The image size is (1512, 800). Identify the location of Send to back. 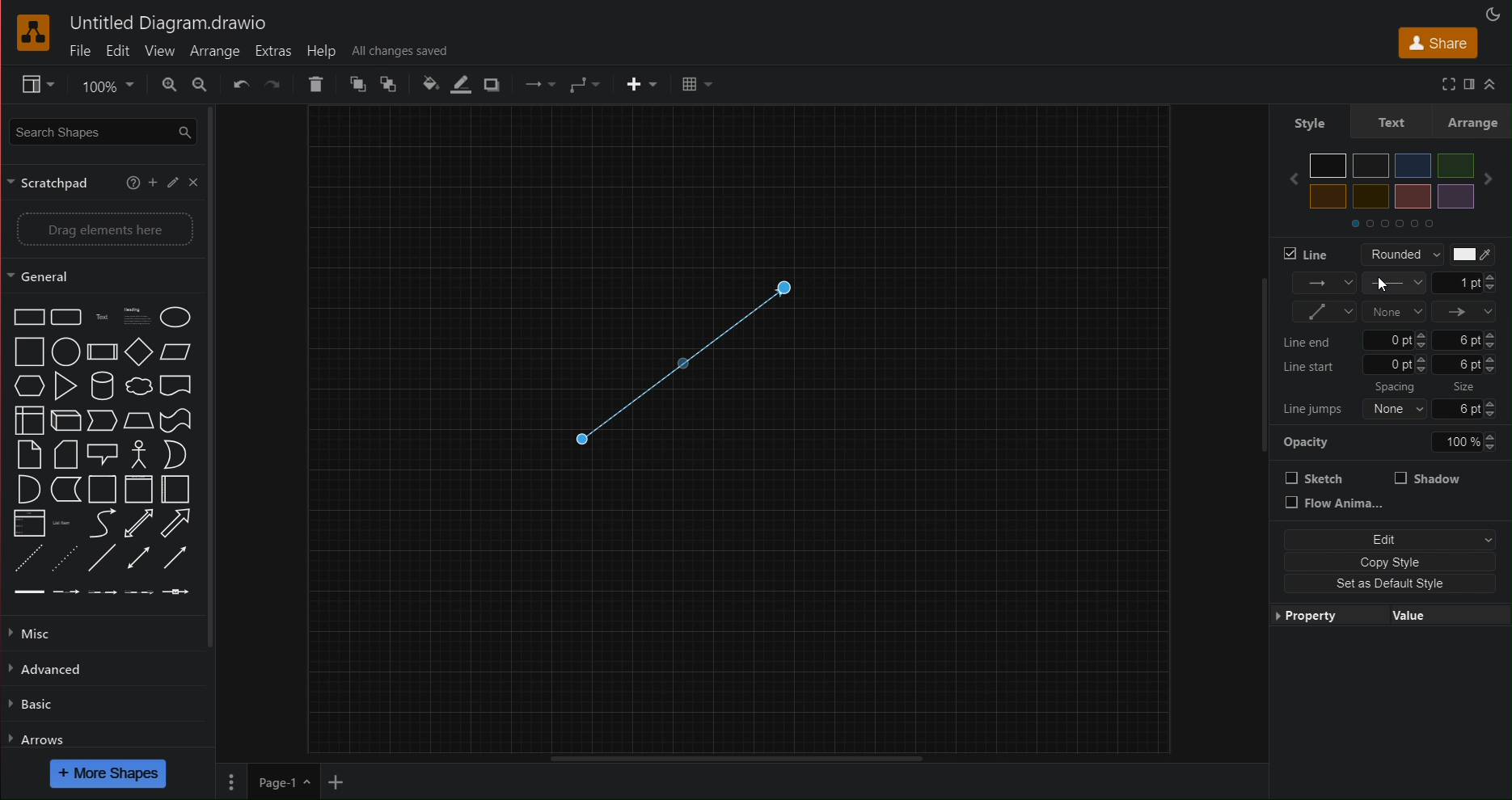
(391, 84).